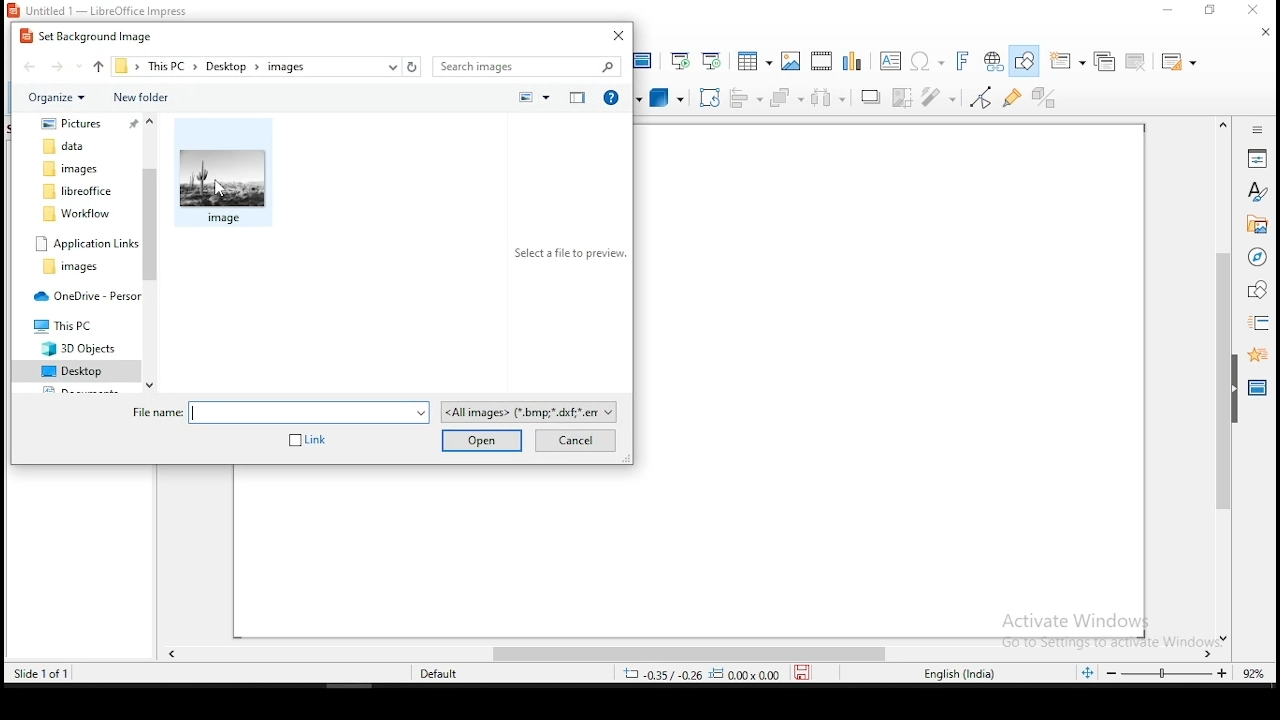 The width and height of the screenshot is (1280, 720). What do you see at coordinates (902, 97) in the screenshot?
I see `crop image` at bounding box center [902, 97].